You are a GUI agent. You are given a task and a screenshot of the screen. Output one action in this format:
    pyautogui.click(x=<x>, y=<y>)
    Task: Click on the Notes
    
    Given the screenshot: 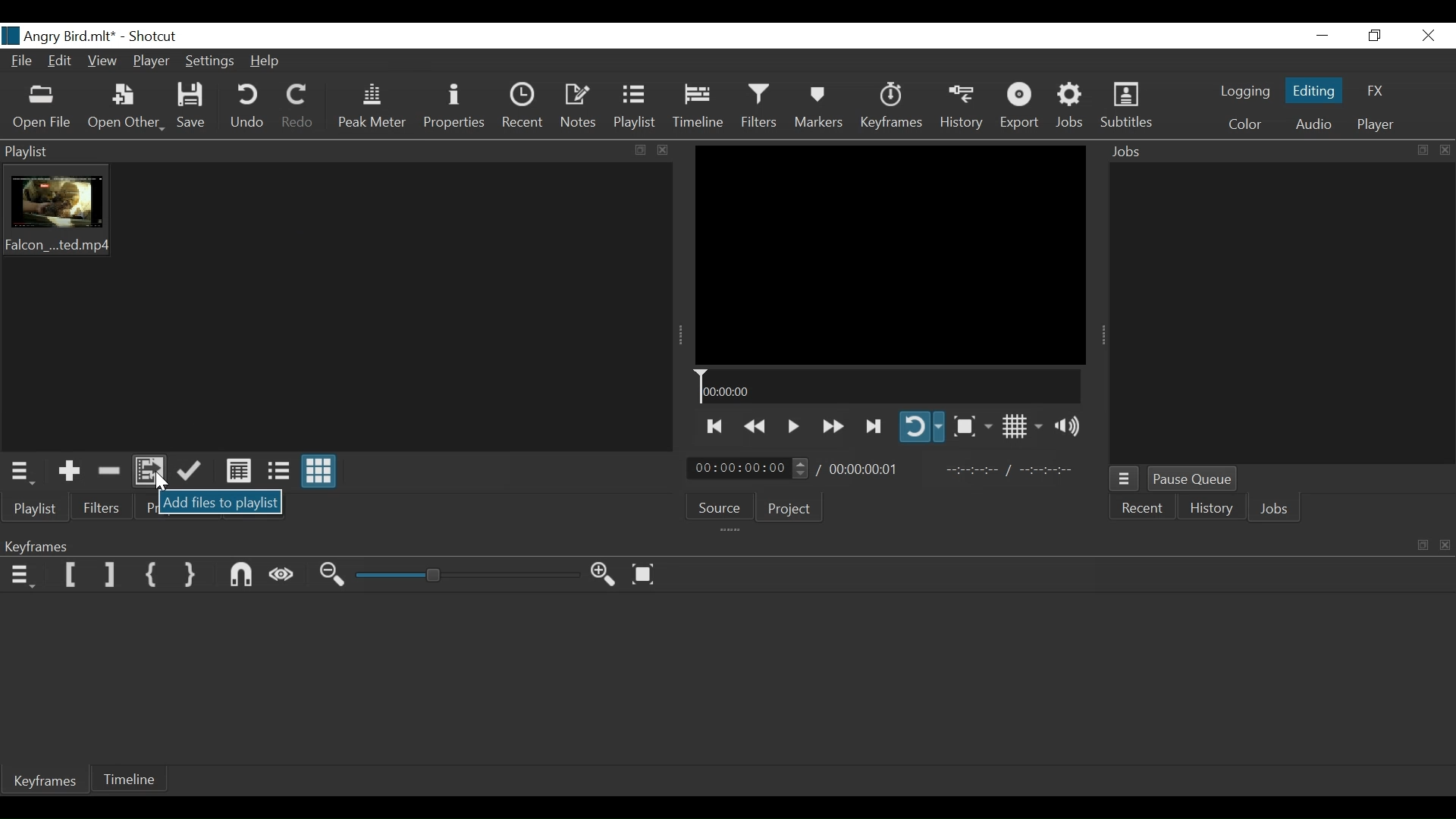 What is the action you would take?
    pyautogui.click(x=581, y=108)
    